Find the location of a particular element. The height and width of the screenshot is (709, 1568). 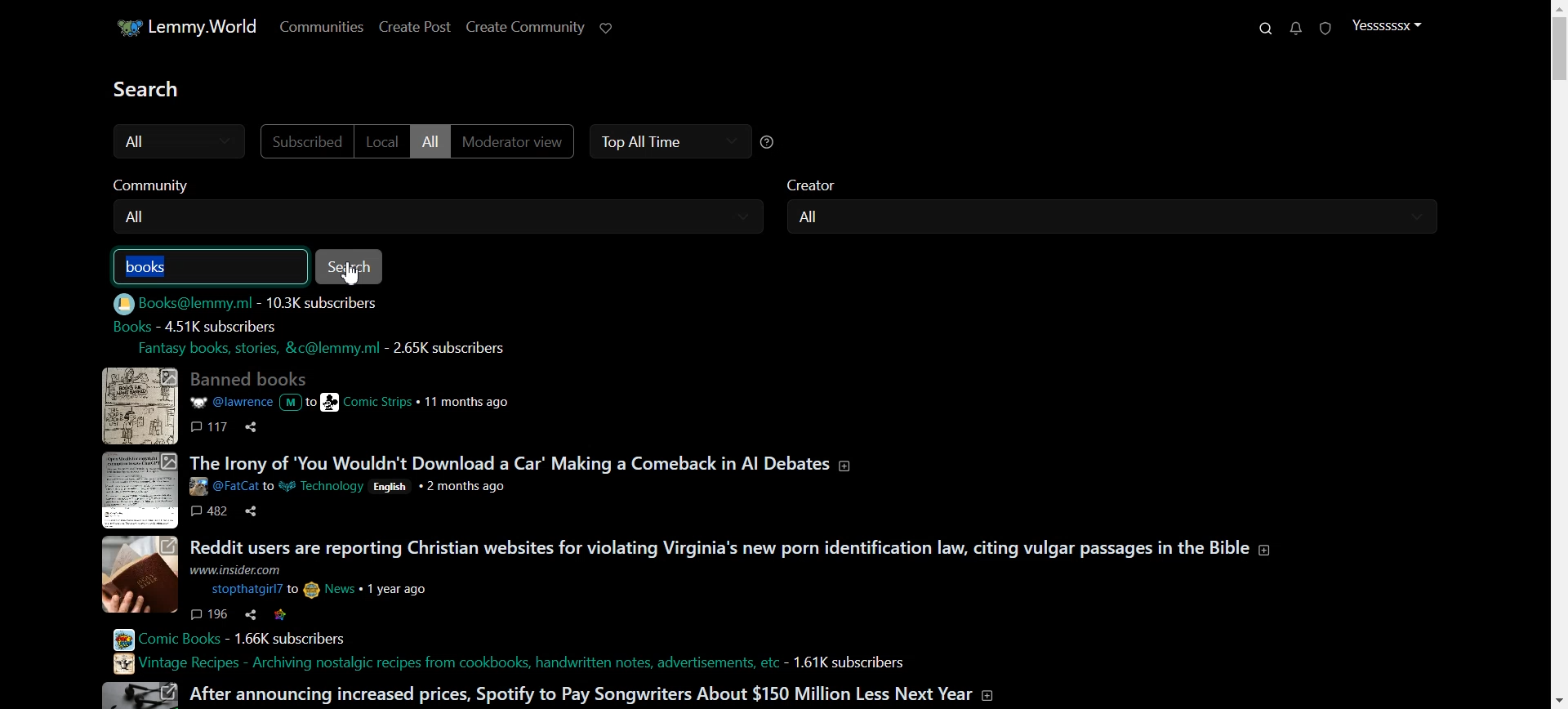

Create Post is located at coordinates (426, 26).